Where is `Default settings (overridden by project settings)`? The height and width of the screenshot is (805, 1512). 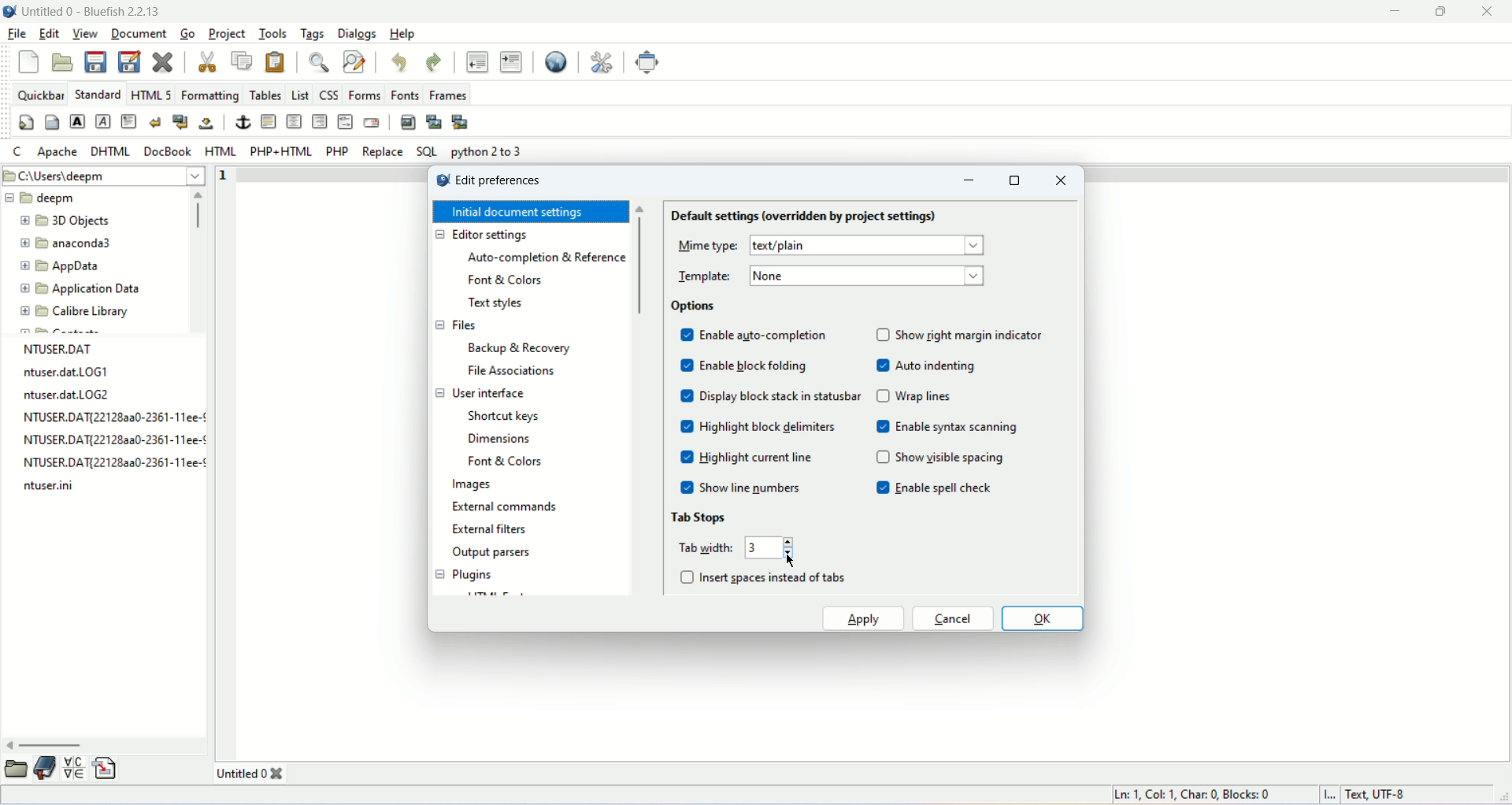
Default settings (overridden by project settings) is located at coordinates (806, 217).